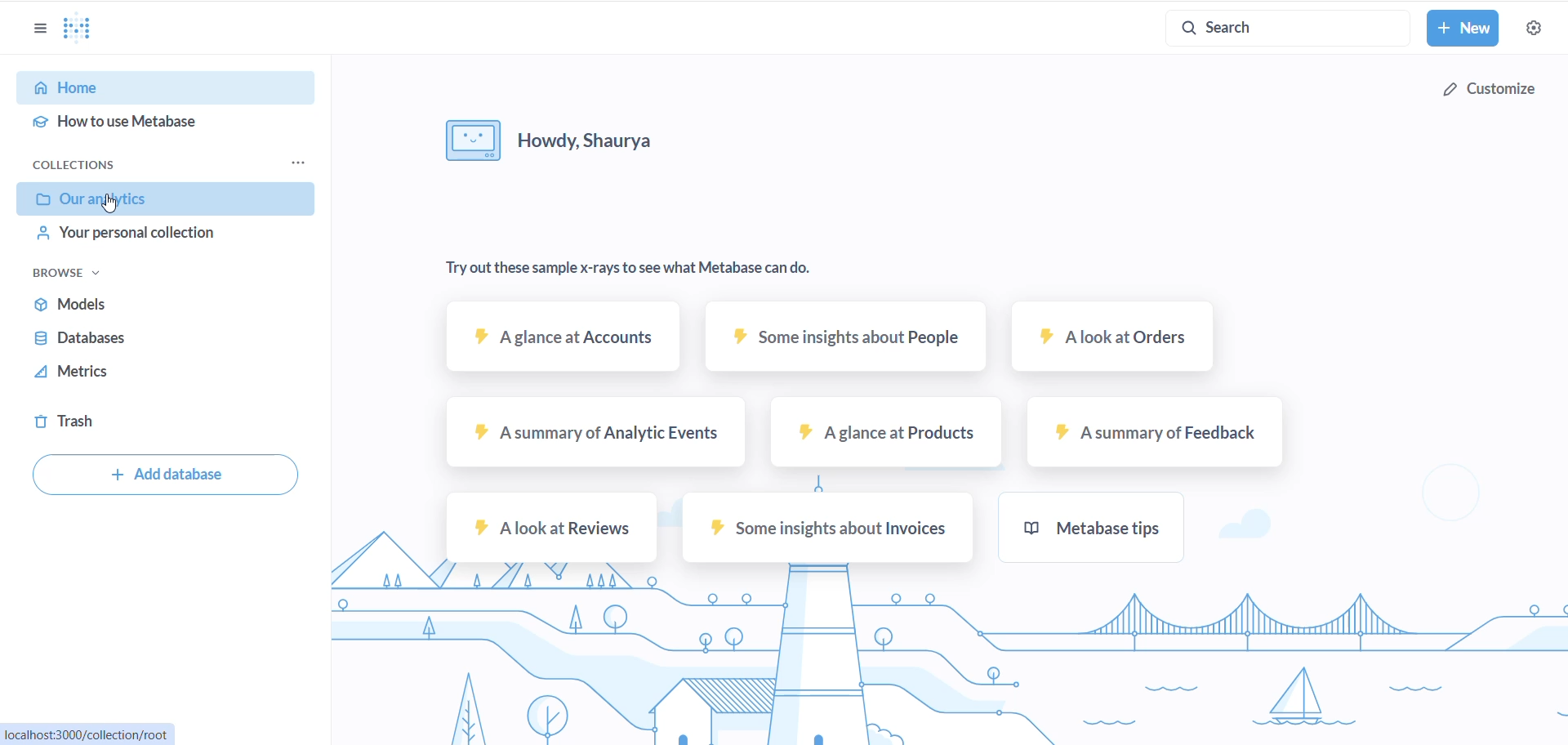 The width and height of the screenshot is (1568, 745). Describe the element at coordinates (1486, 87) in the screenshot. I see `customize` at that location.